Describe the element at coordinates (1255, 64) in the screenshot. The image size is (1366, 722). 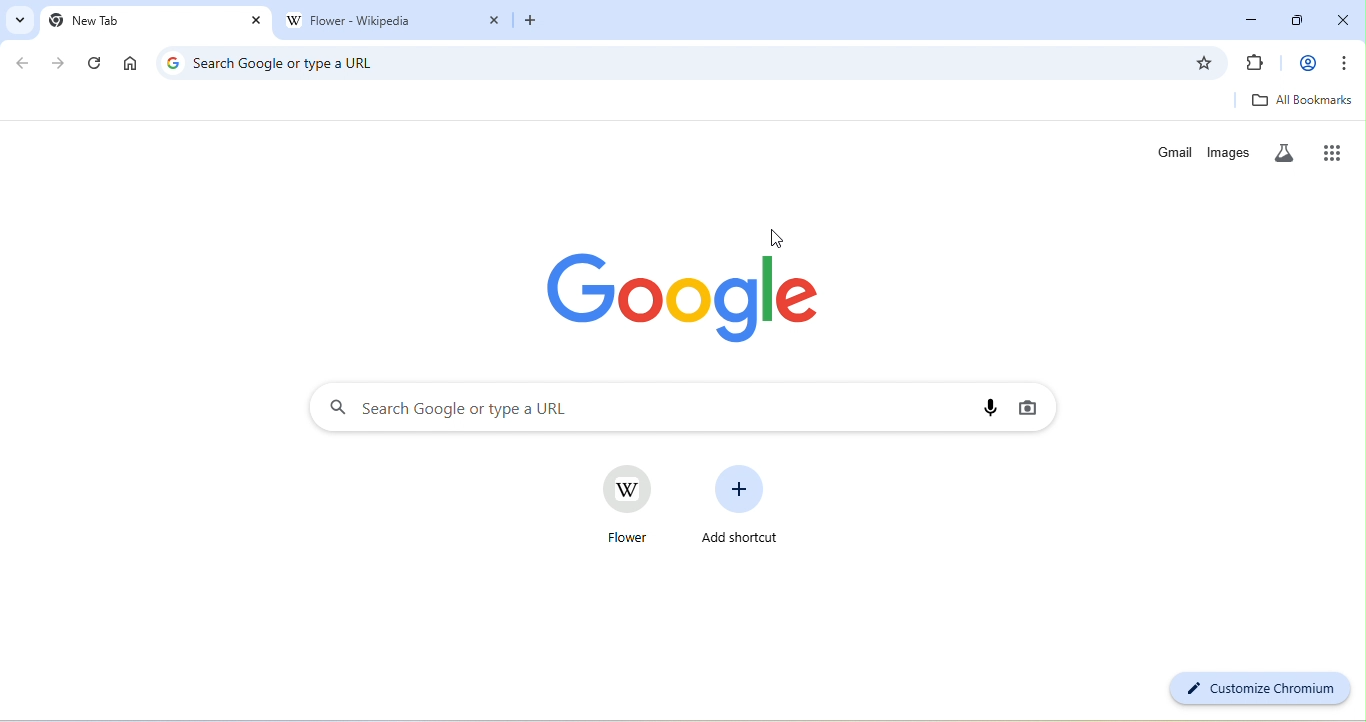
I see `extensions` at that location.